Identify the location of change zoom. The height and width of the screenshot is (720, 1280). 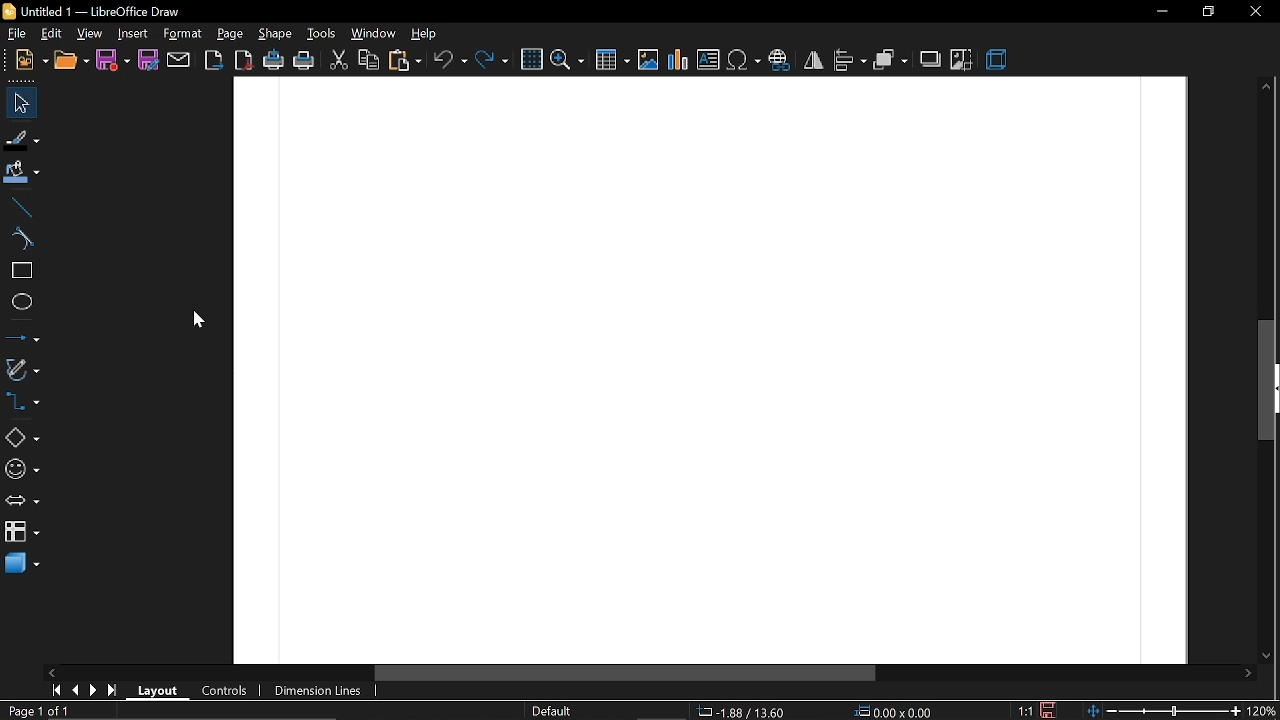
(1165, 712).